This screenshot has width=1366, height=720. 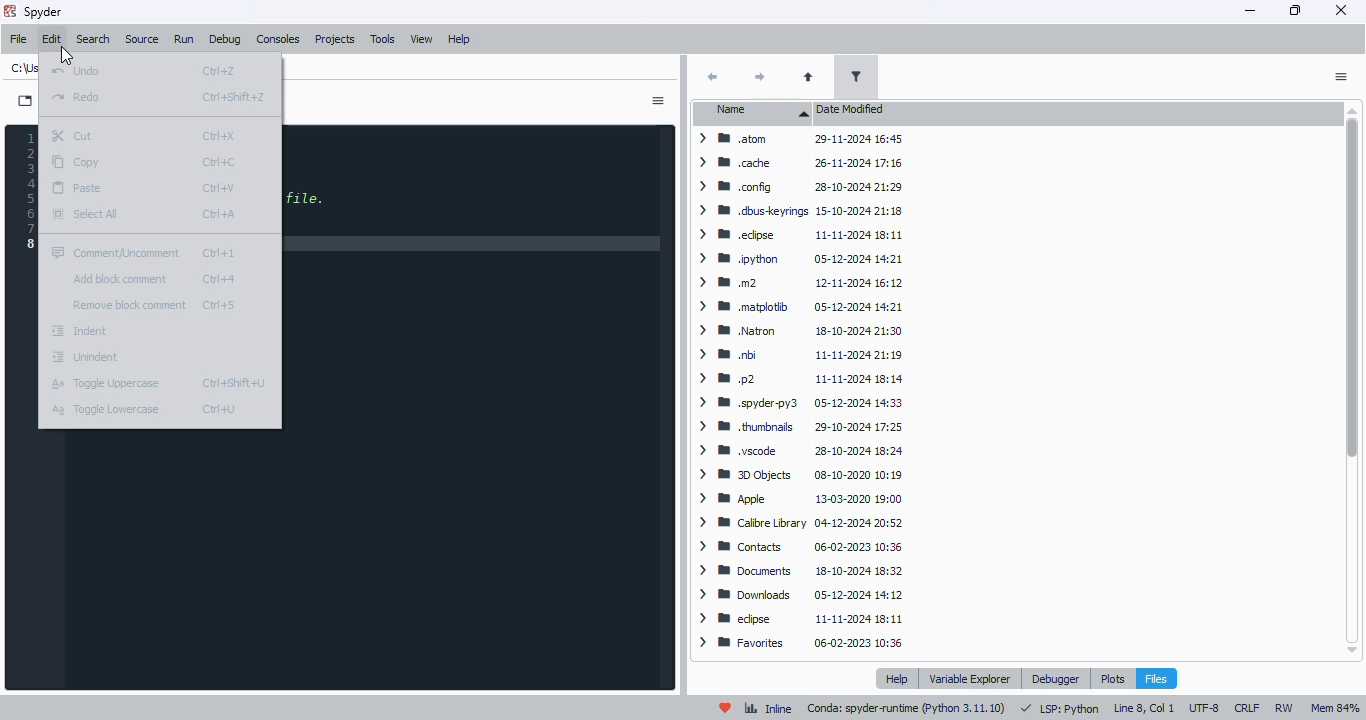 What do you see at coordinates (855, 76) in the screenshot?
I see `filter` at bounding box center [855, 76].